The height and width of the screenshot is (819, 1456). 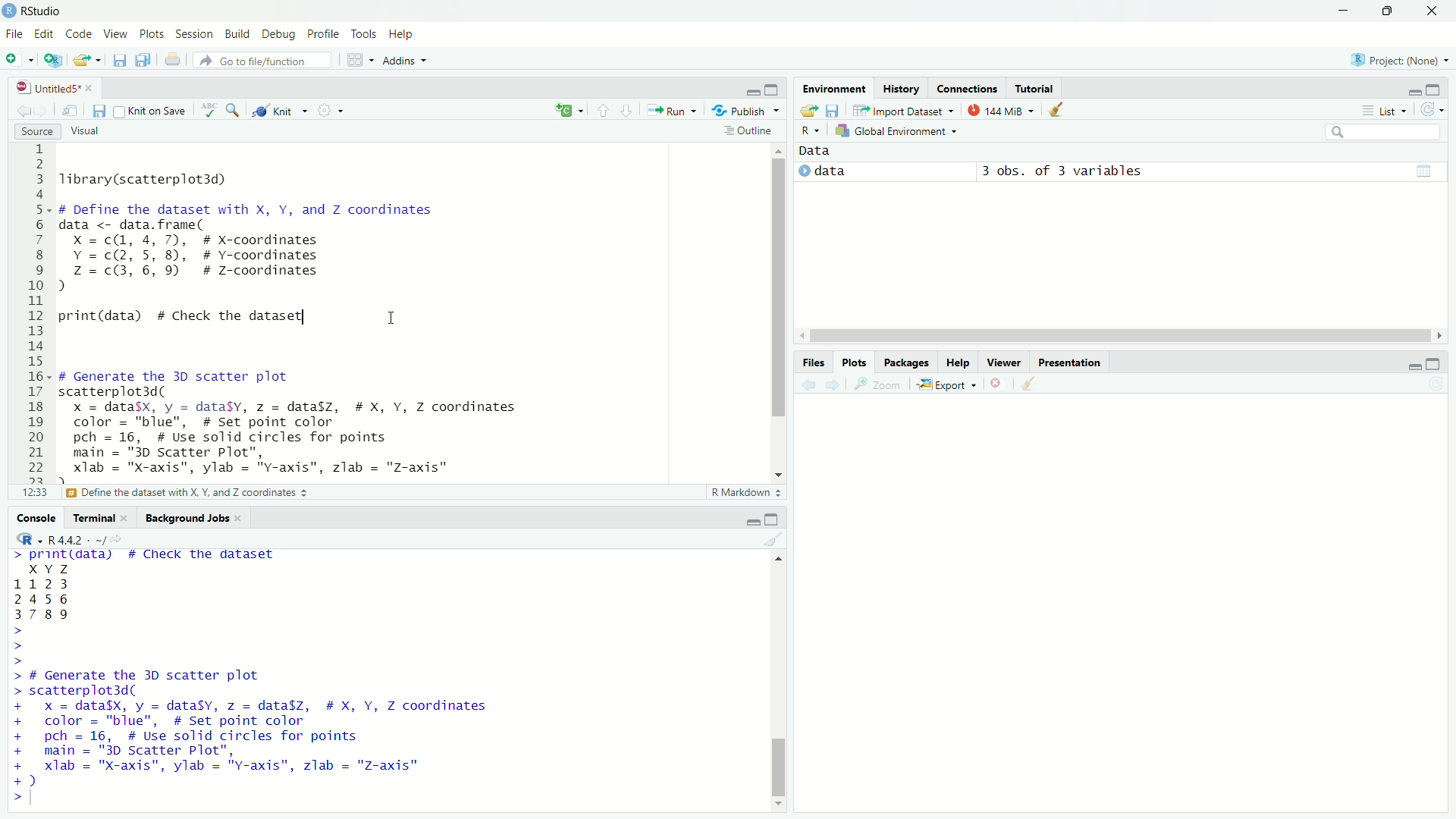 I want to click on R 4.4.2 . ~/, so click(x=77, y=540).